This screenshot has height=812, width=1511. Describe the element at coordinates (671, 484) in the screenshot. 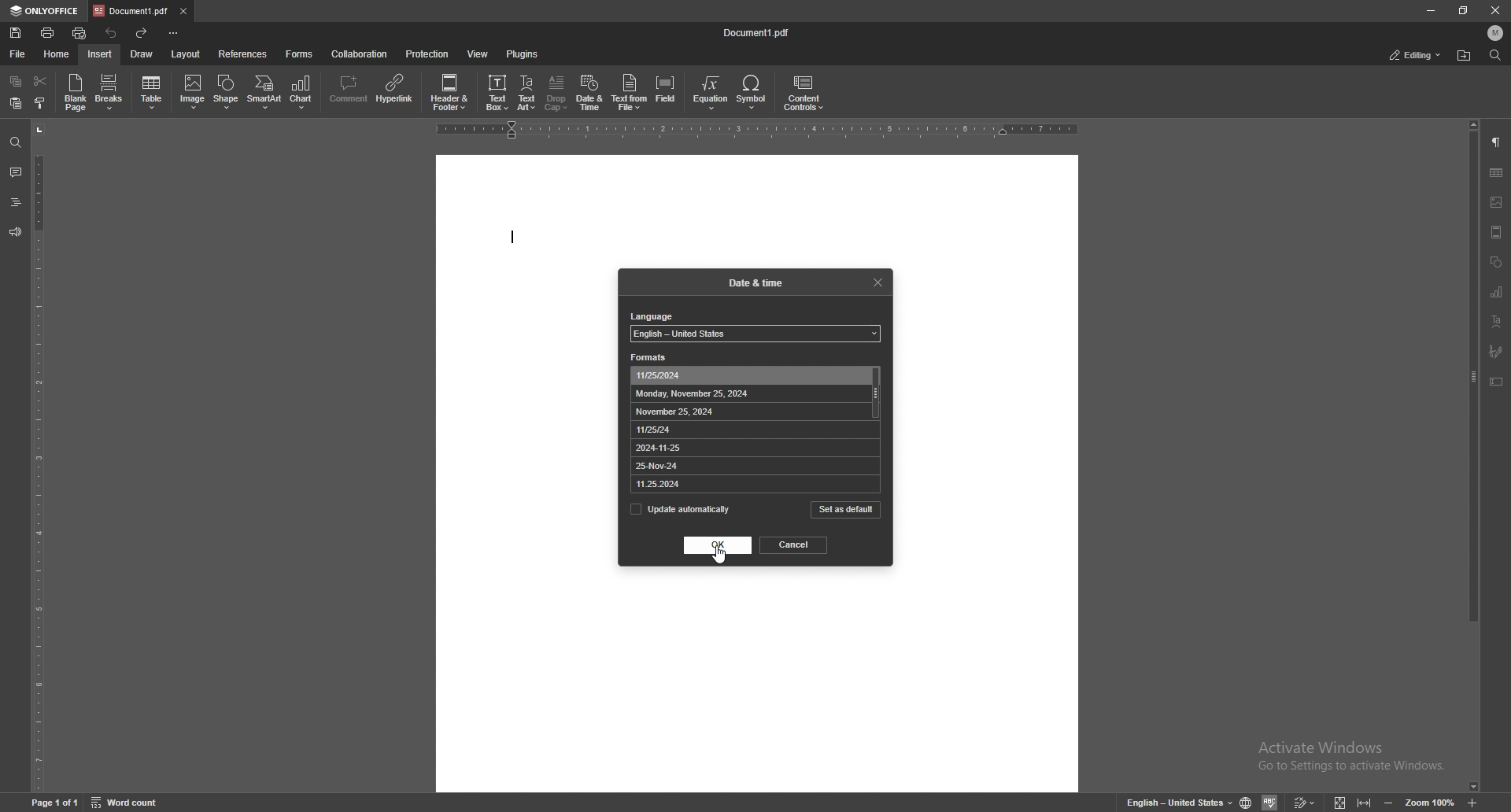

I see `date format` at that location.